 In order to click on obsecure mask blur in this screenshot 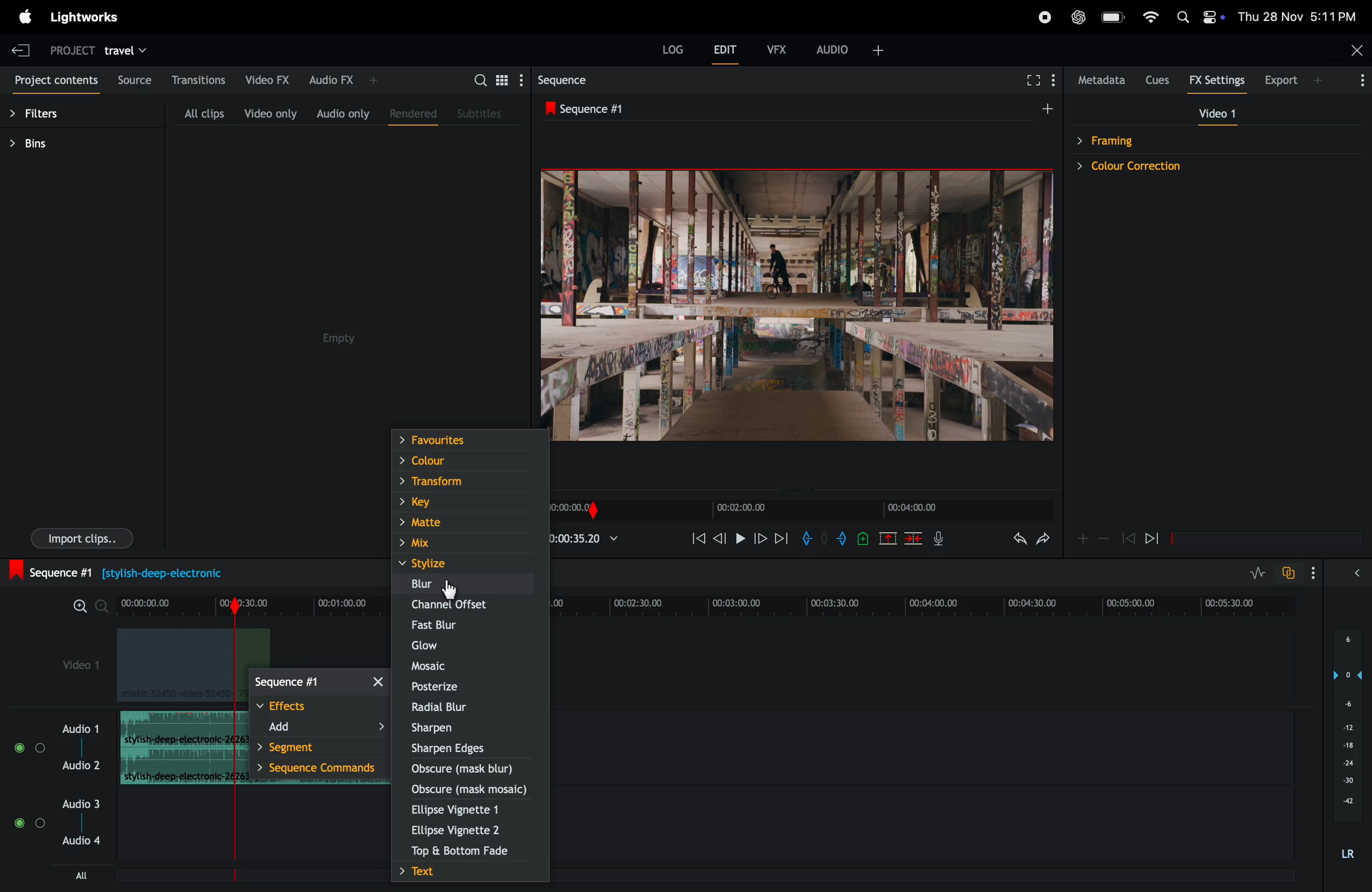, I will do `click(472, 769)`.